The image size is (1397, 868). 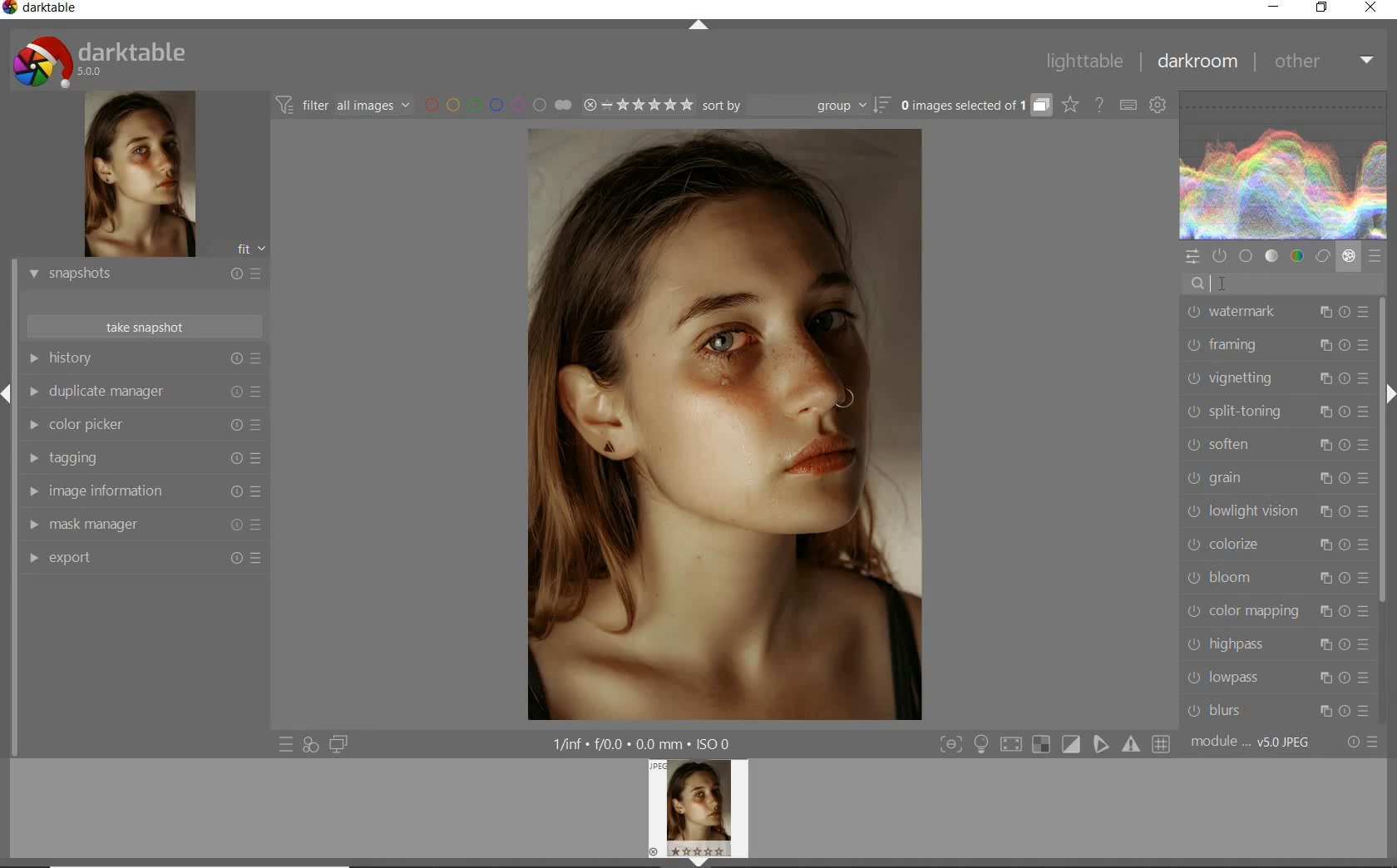 I want to click on expand grouped images, so click(x=974, y=106).